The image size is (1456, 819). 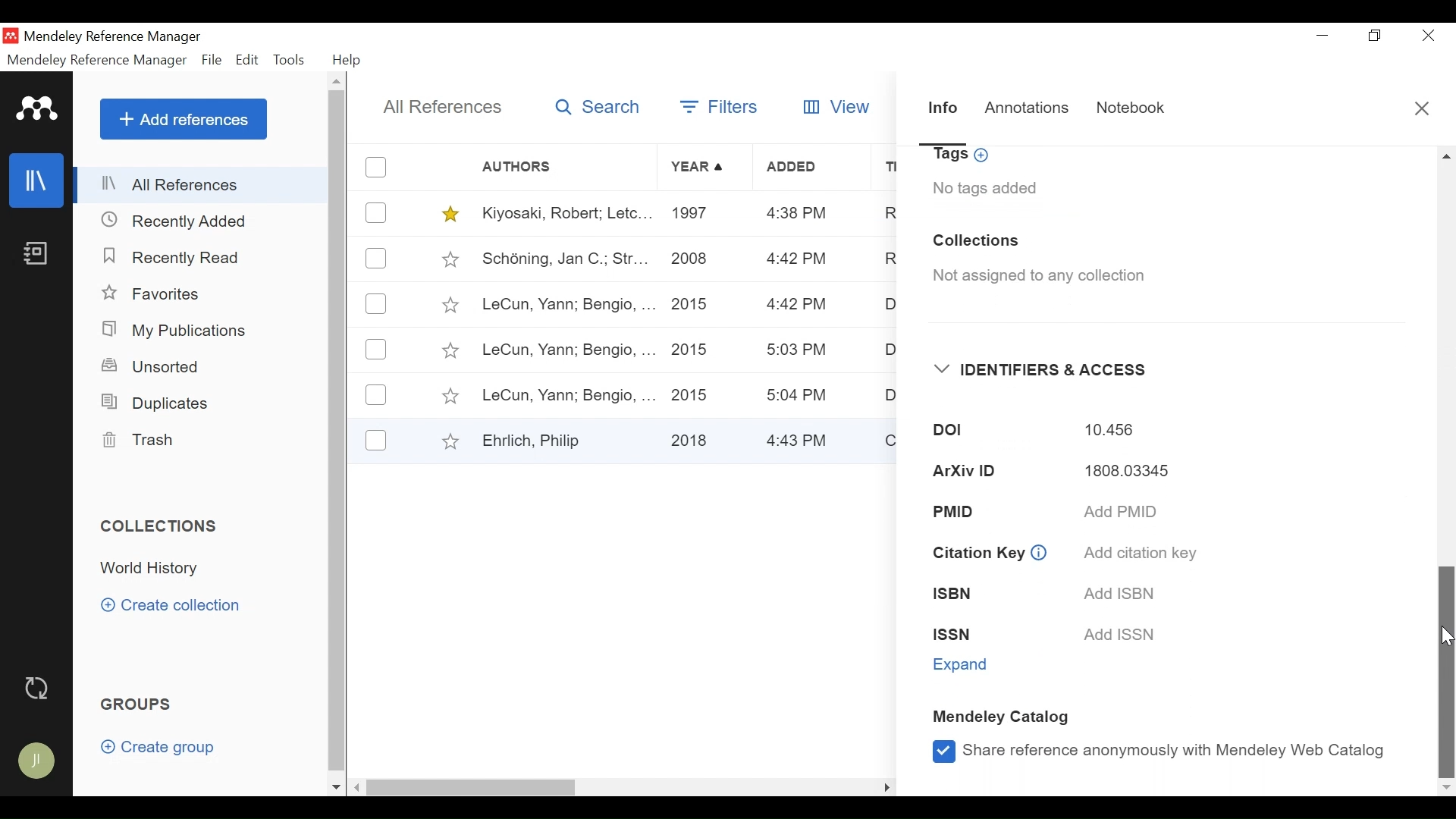 What do you see at coordinates (378, 304) in the screenshot?
I see `(un)select` at bounding box center [378, 304].